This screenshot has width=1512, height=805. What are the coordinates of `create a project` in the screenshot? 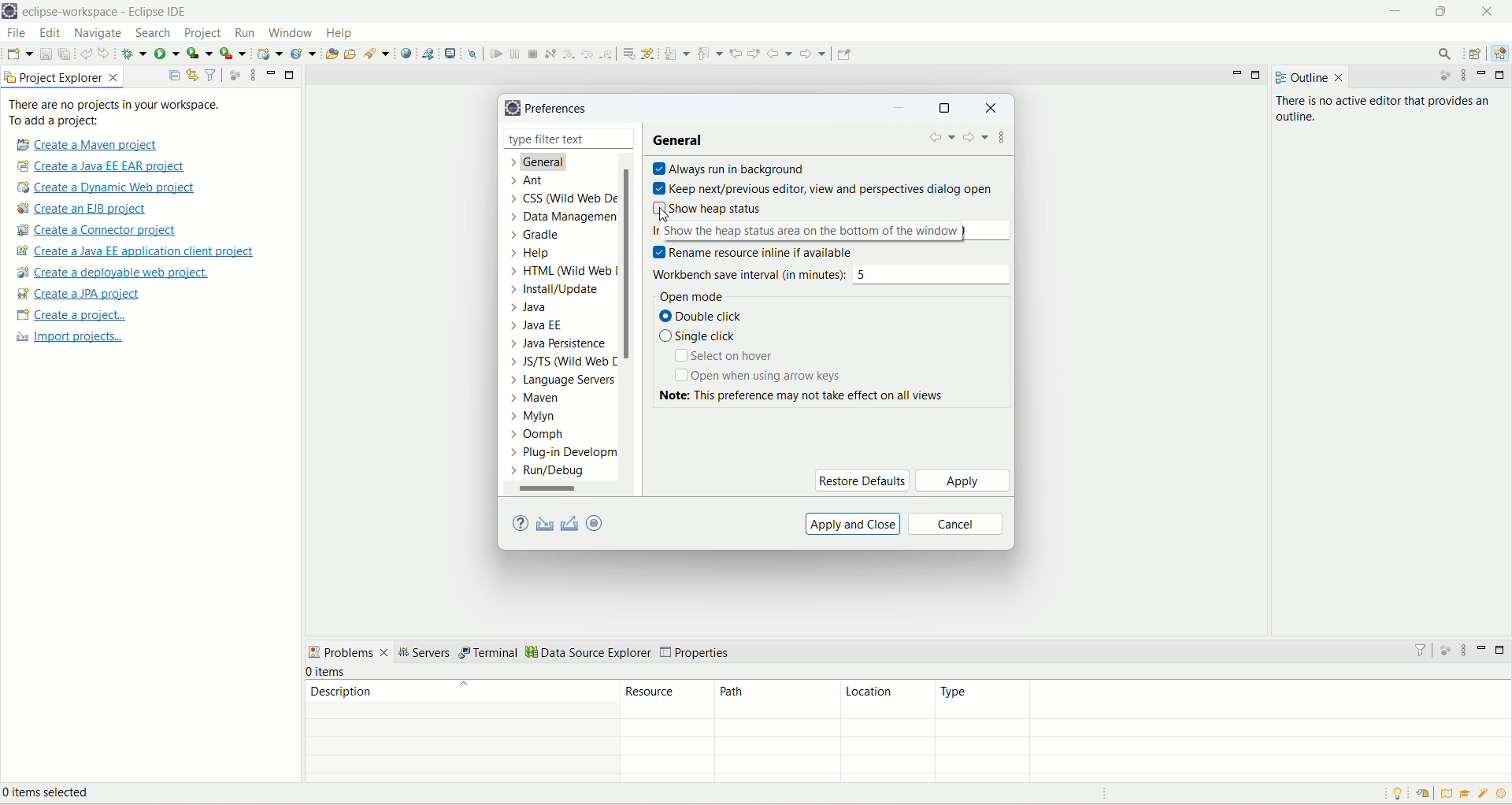 It's located at (69, 316).